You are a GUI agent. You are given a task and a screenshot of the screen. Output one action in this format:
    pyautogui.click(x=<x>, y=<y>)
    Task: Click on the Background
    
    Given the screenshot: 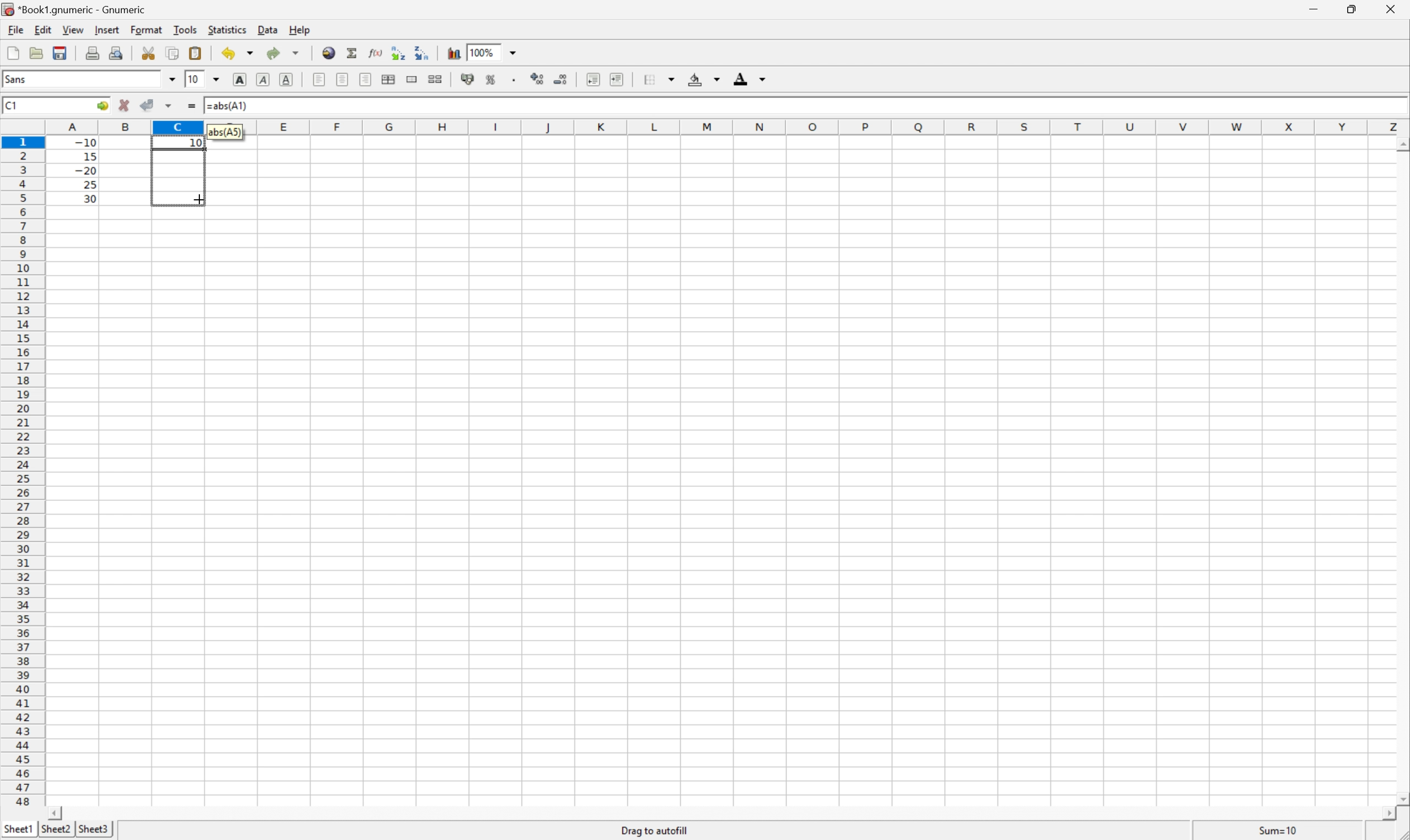 What is the action you would take?
    pyautogui.click(x=695, y=80)
    